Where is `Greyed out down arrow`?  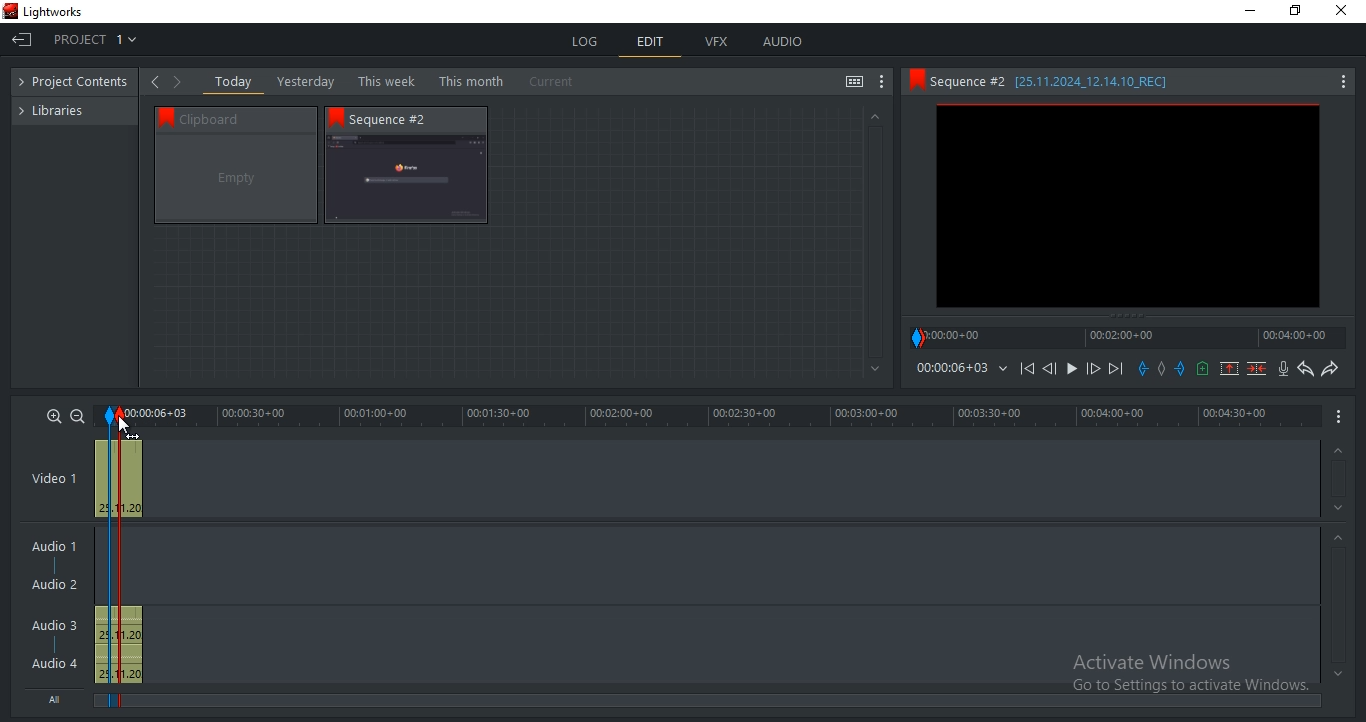
Greyed out down arrow is located at coordinates (876, 370).